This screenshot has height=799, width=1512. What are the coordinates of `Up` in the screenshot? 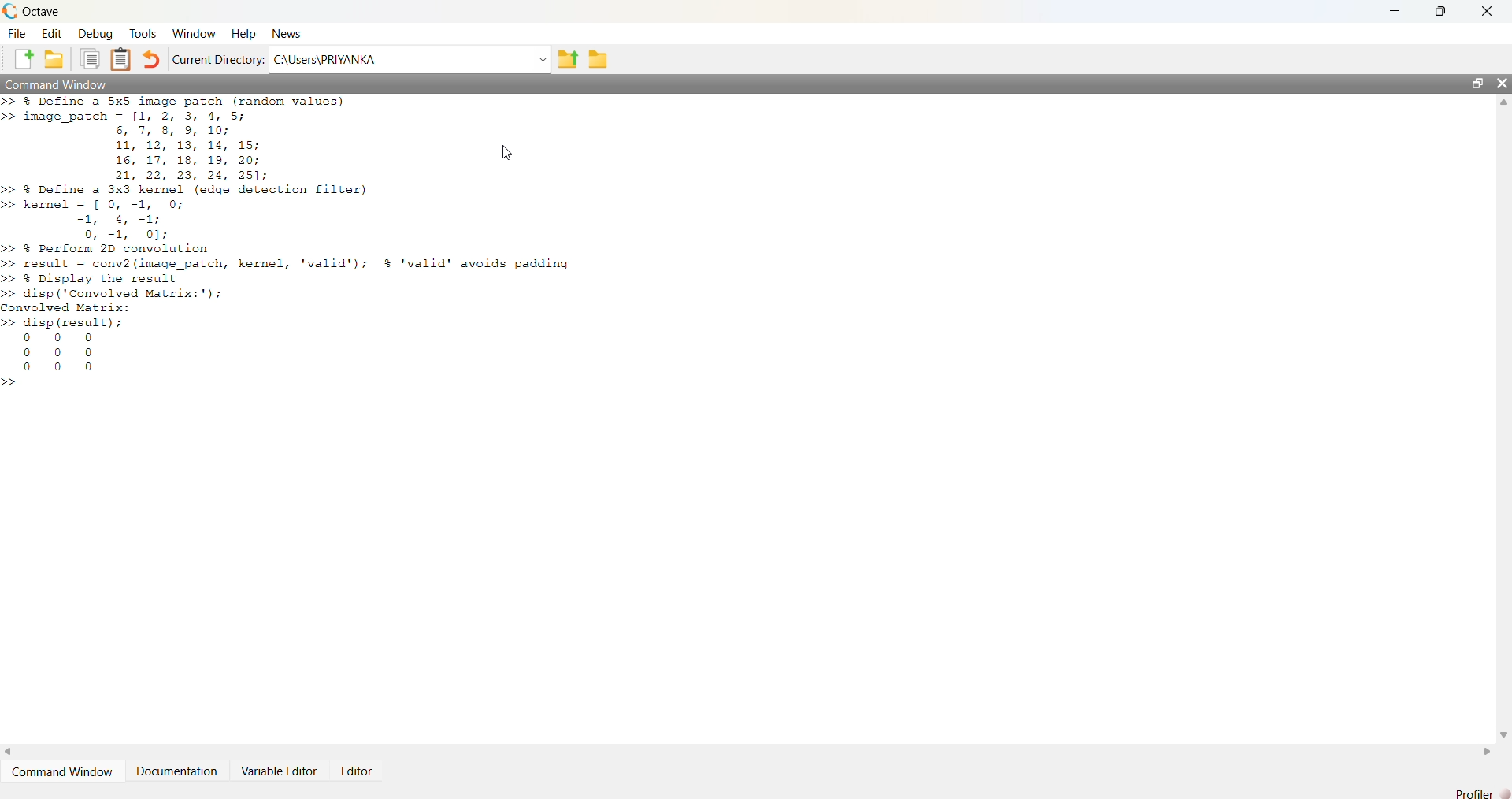 It's located at (1503, 105).